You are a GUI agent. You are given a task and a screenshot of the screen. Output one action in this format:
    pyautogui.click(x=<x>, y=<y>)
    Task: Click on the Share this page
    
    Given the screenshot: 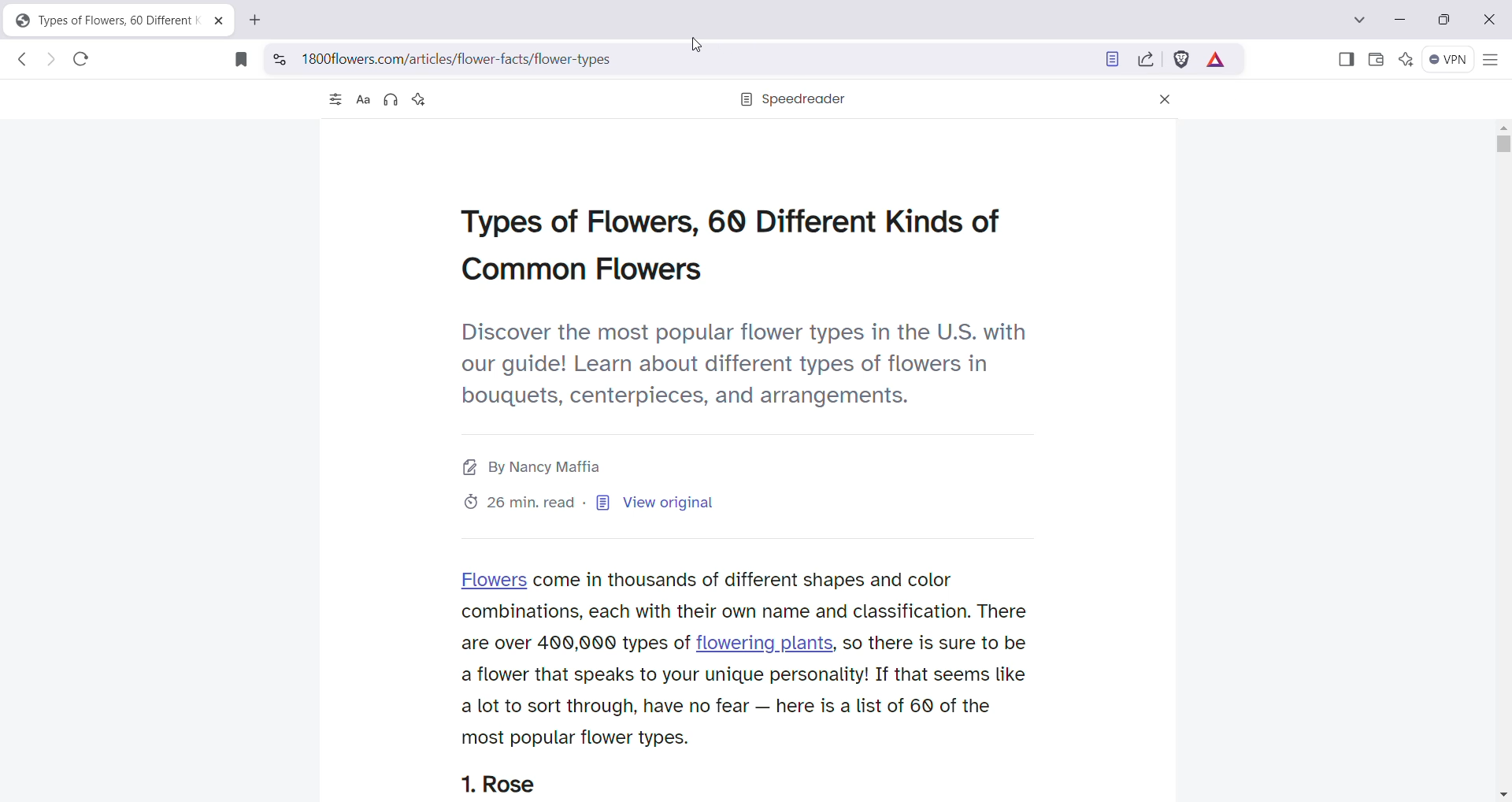 What is the action you would take?
    pyautogui.click(x=1144, y=60)
    